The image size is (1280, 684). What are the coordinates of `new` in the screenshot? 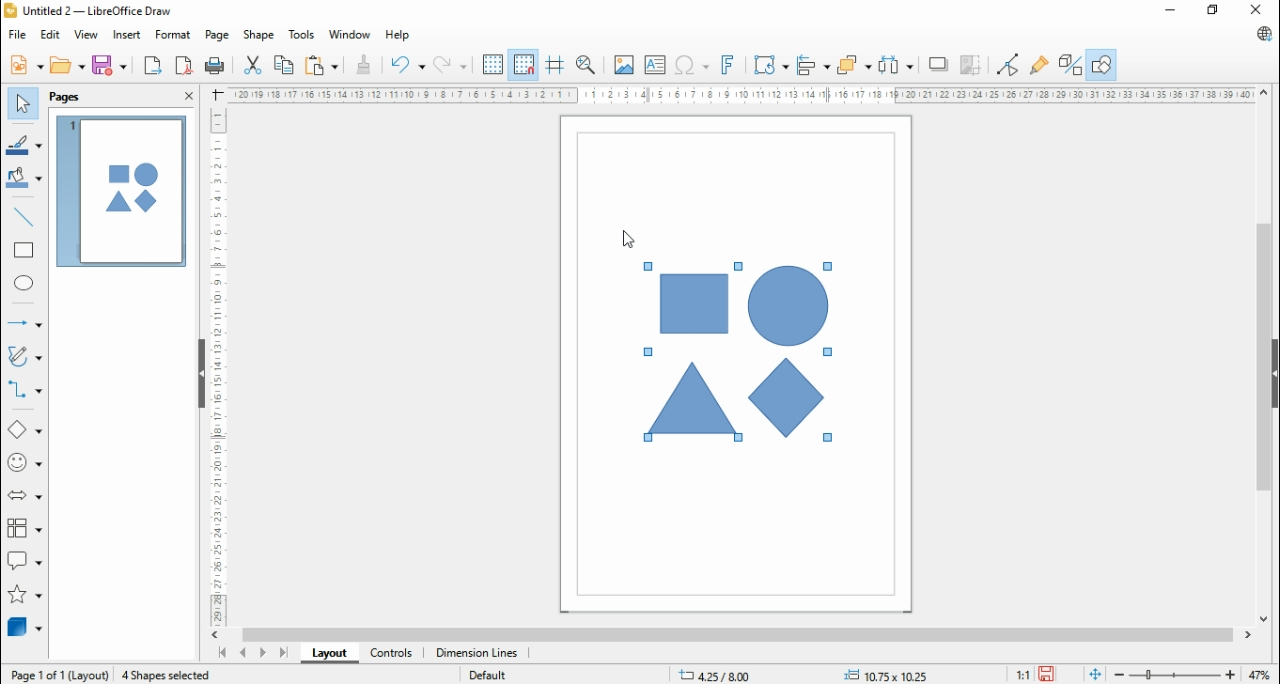 It's located at (27, 65).